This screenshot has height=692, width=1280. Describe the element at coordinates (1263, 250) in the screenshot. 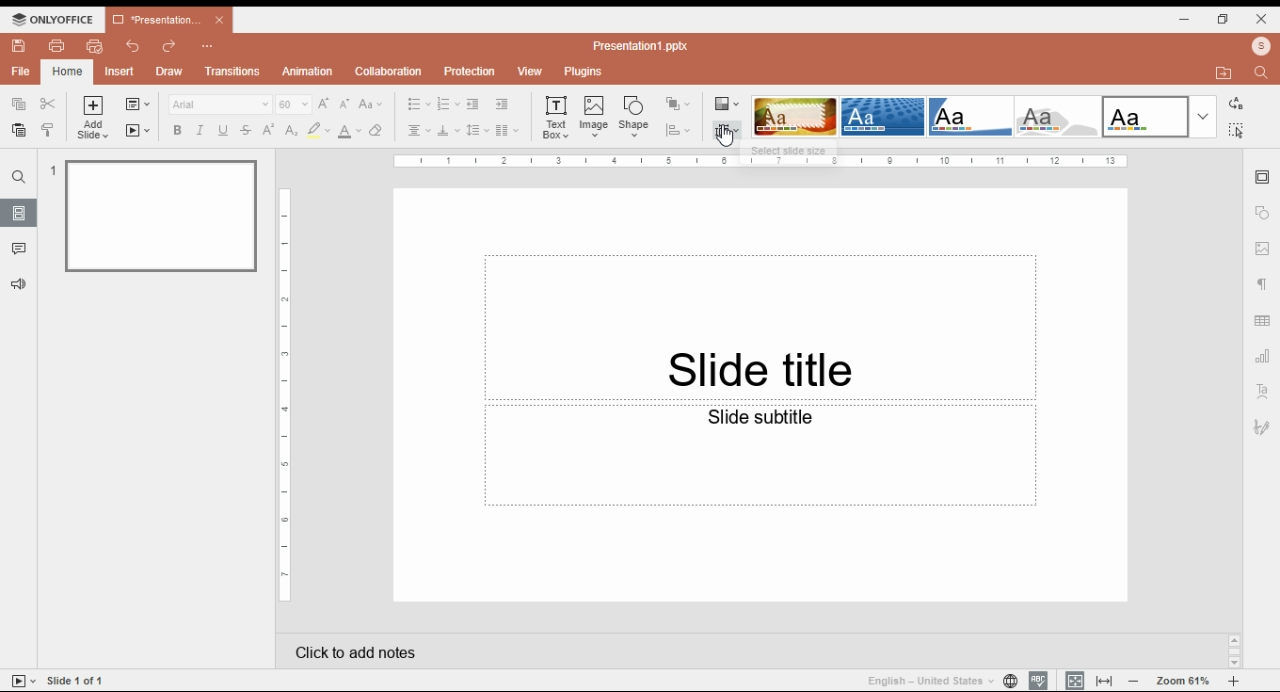

I see `image settings` at that location.